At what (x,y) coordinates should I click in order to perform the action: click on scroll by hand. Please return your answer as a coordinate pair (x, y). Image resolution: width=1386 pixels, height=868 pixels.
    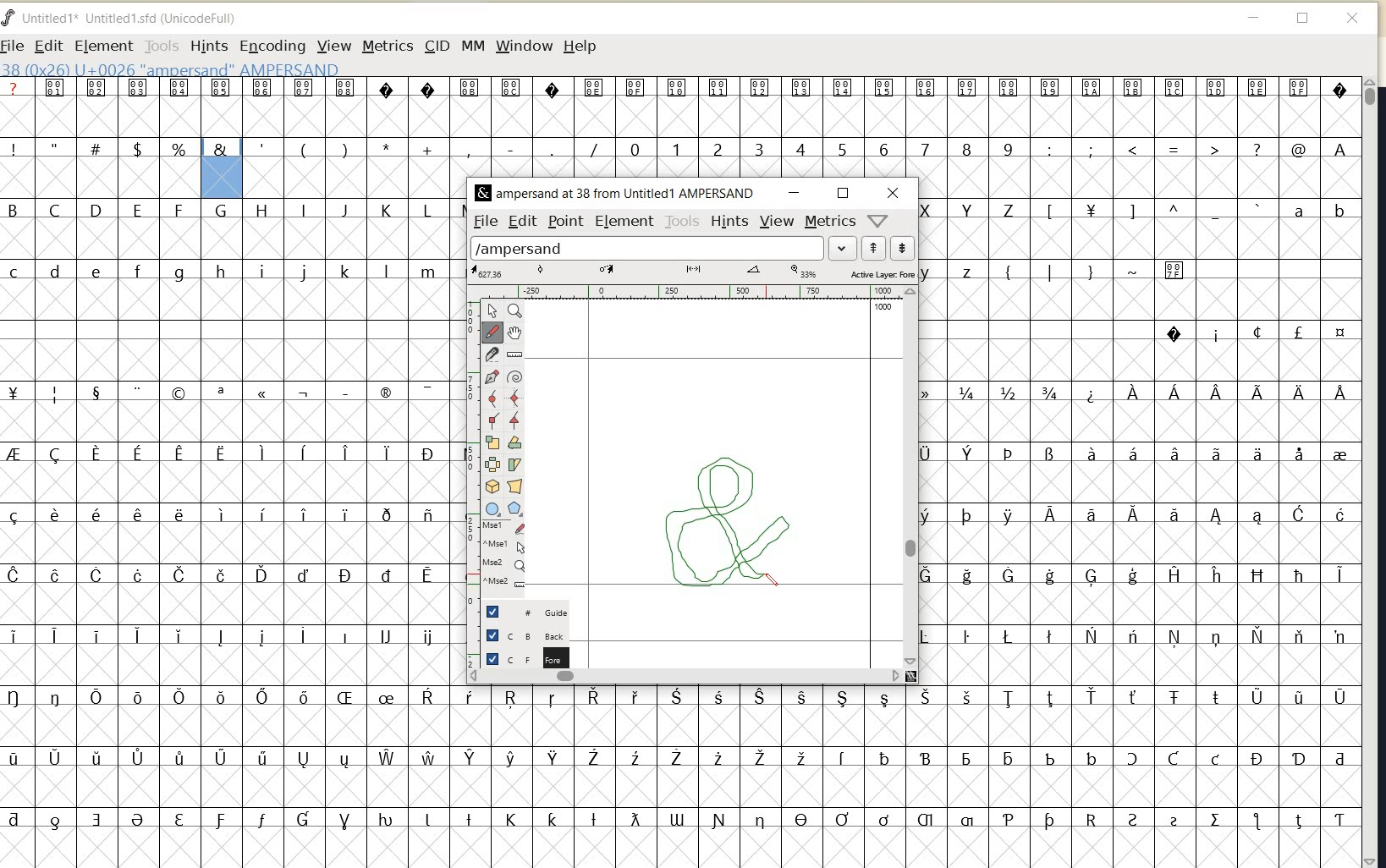
    Looking at the image, I should click on (514, 333).